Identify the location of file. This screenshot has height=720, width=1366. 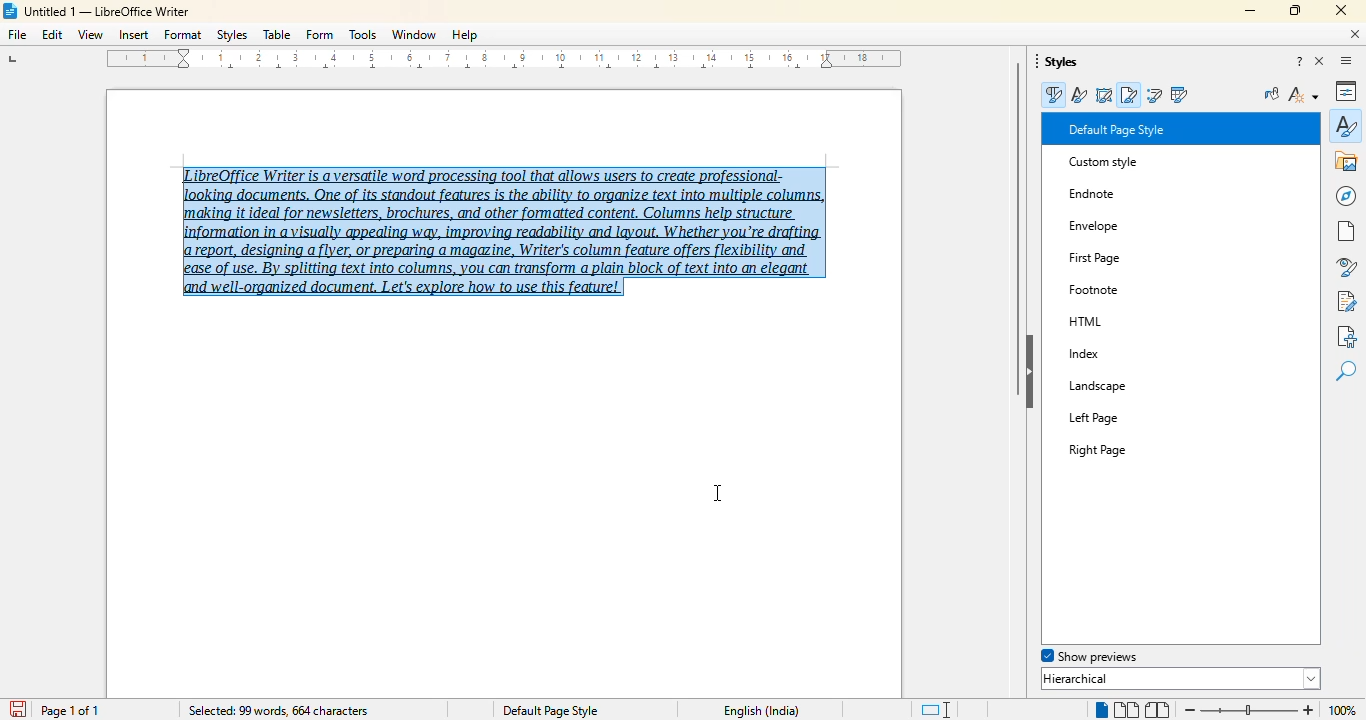
(16, 34).